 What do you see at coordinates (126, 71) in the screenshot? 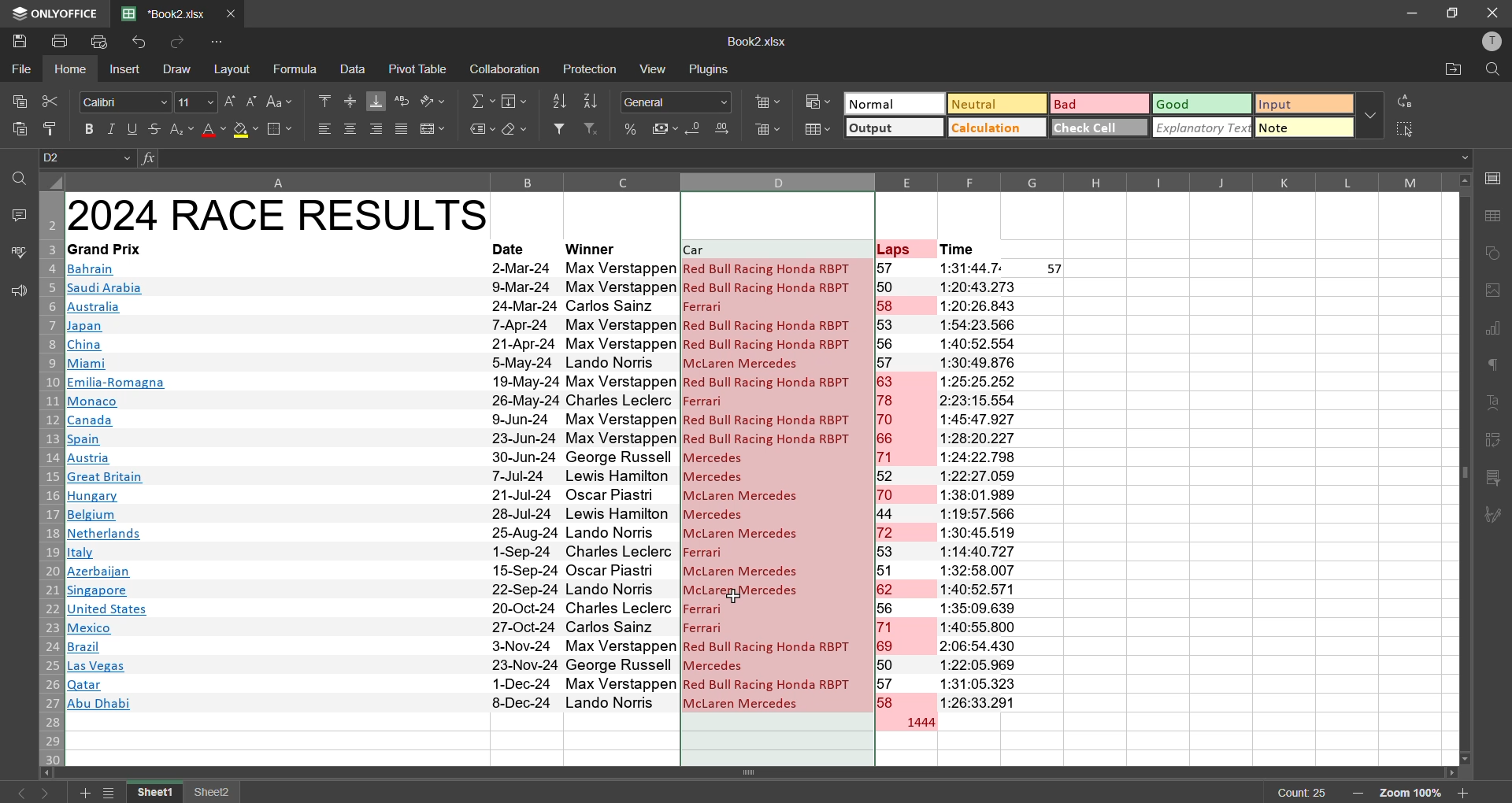
I see `insert` at bounding box center [126, 71].